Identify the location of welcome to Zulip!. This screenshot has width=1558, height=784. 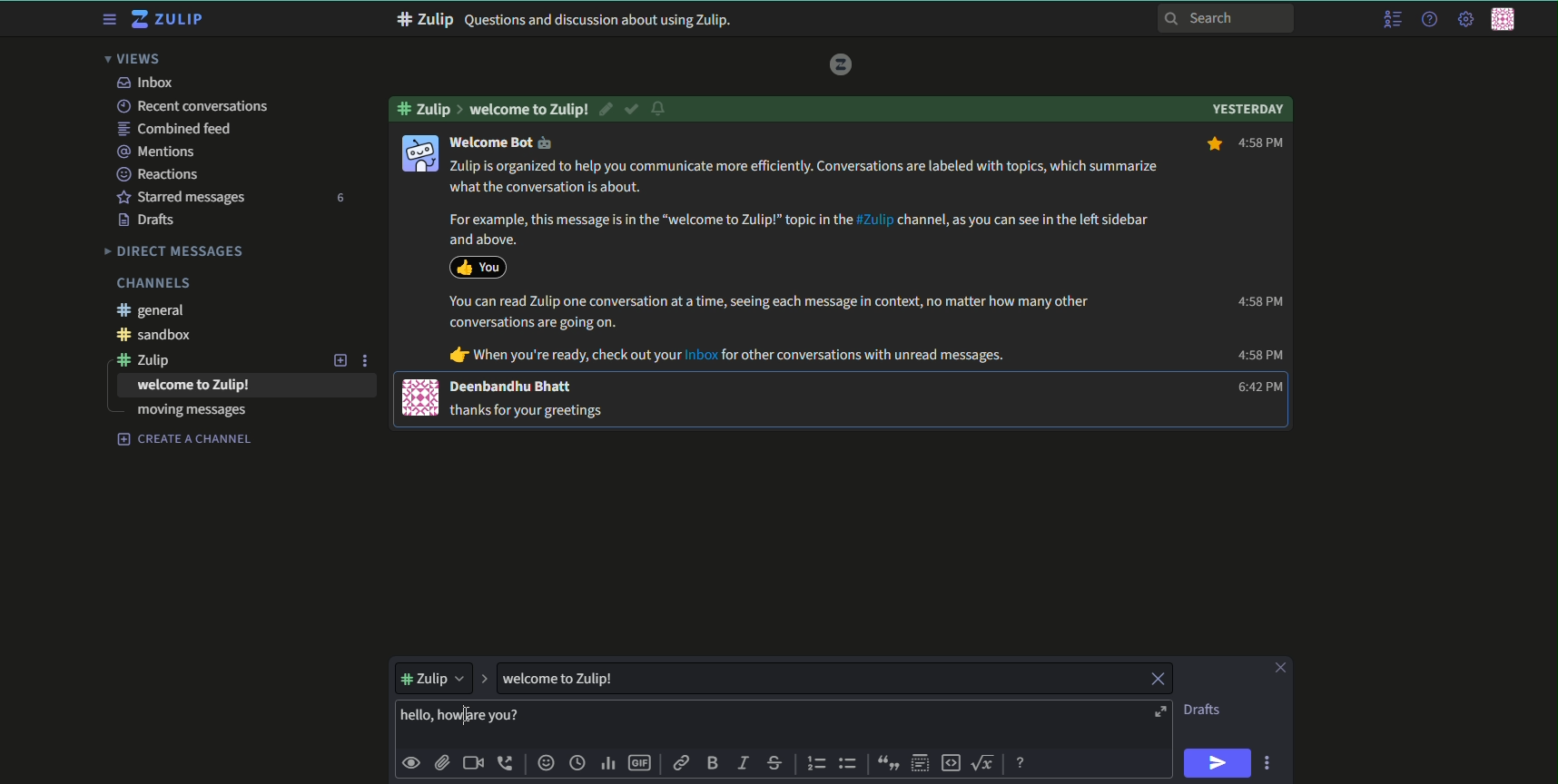
(580, 678).